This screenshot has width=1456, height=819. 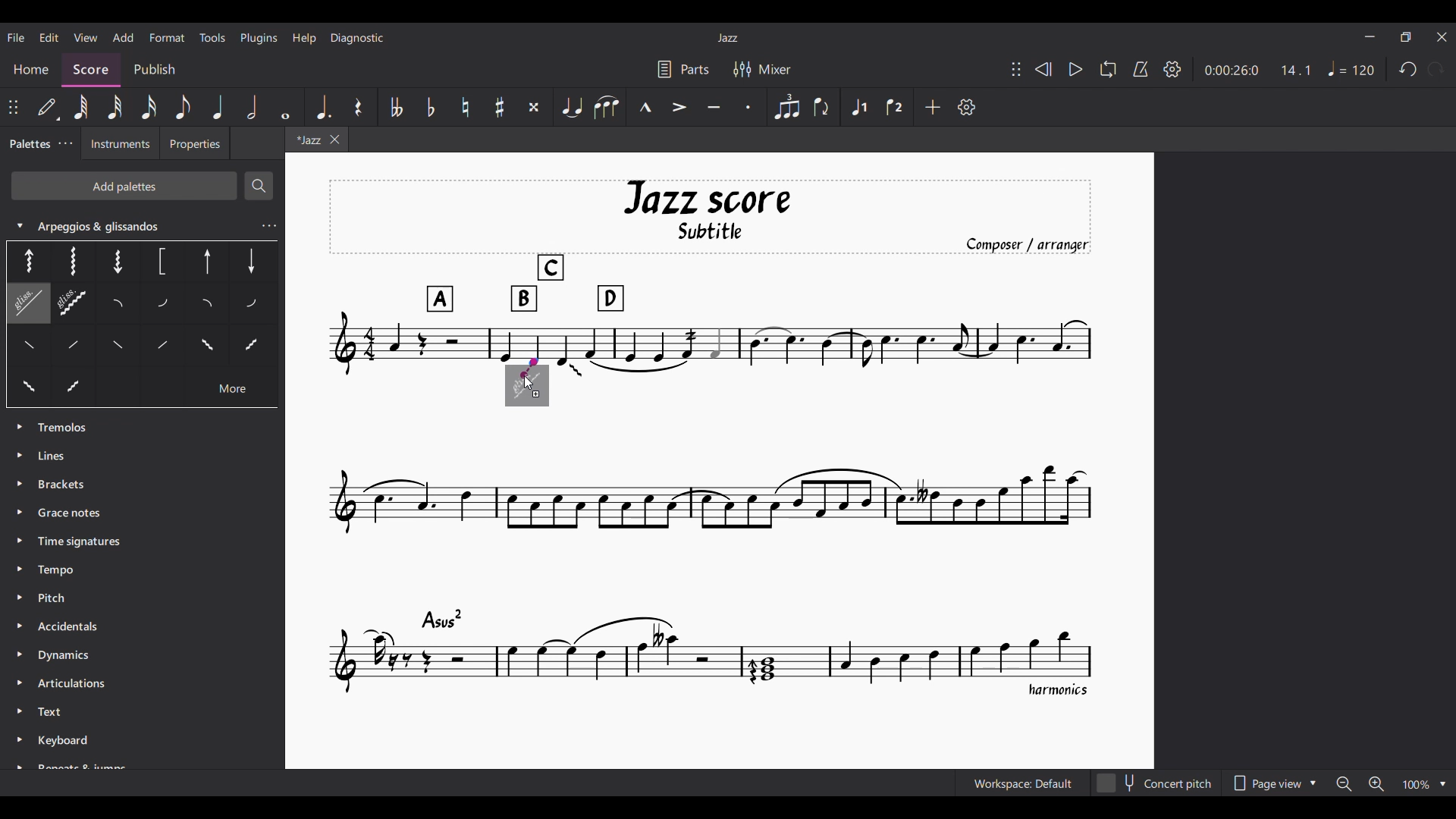 What do you see at coordinates (208, 263) in the screenshot?
I see `Plate 5` at bounding box center [208, 263].